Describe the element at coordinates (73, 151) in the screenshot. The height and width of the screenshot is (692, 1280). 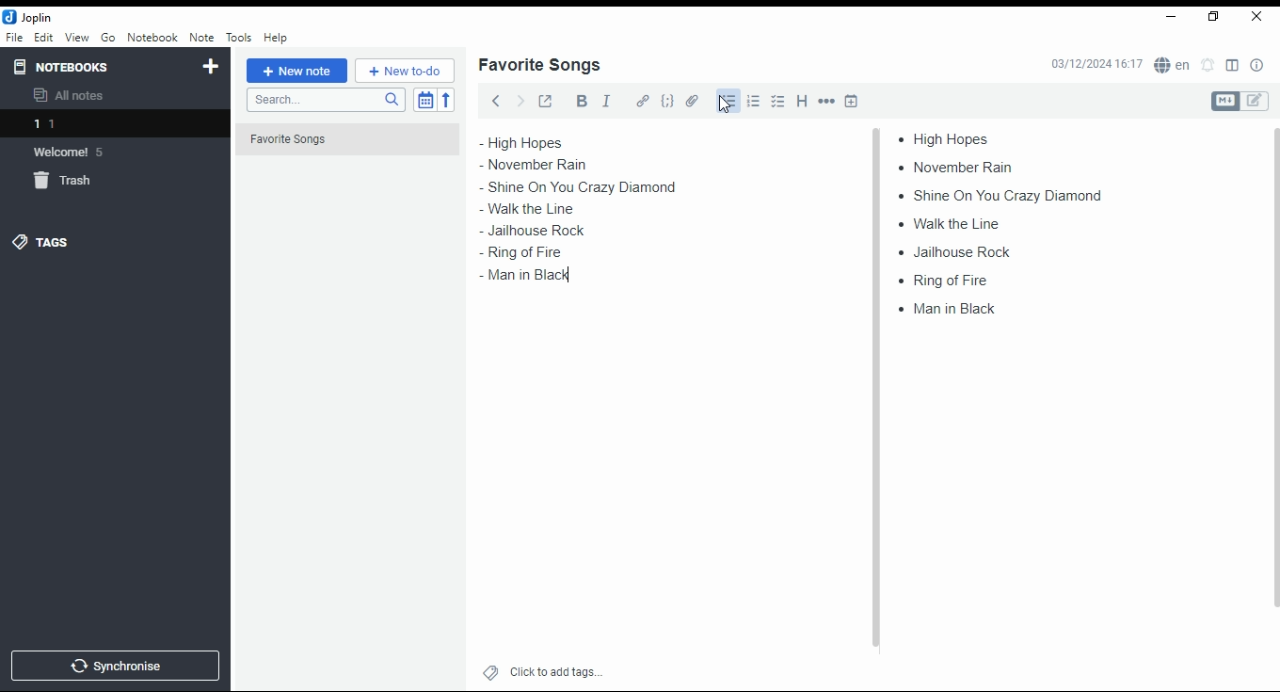
I see `notebook: welcome` at that location.